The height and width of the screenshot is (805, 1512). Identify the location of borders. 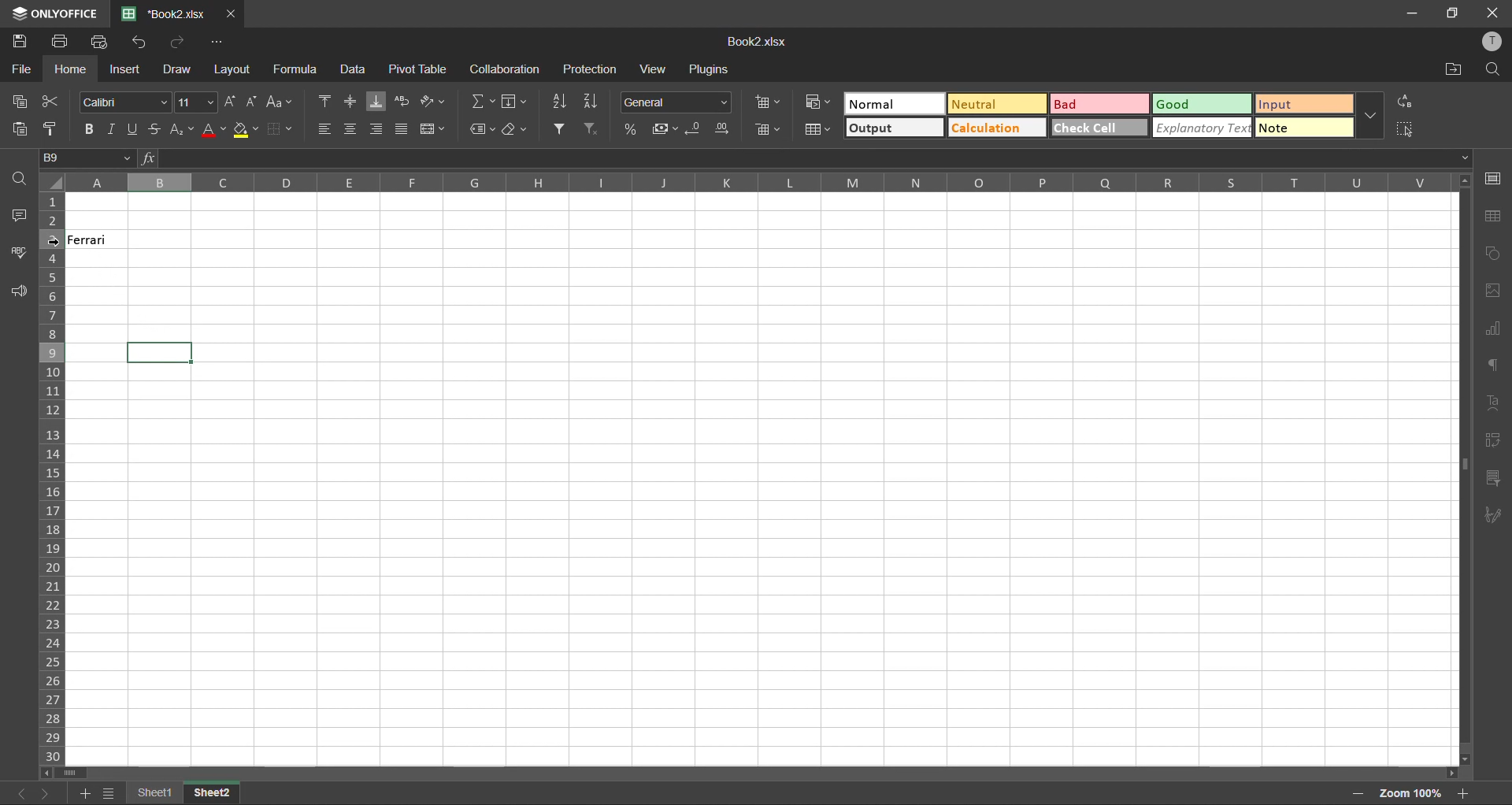
(278, 128).